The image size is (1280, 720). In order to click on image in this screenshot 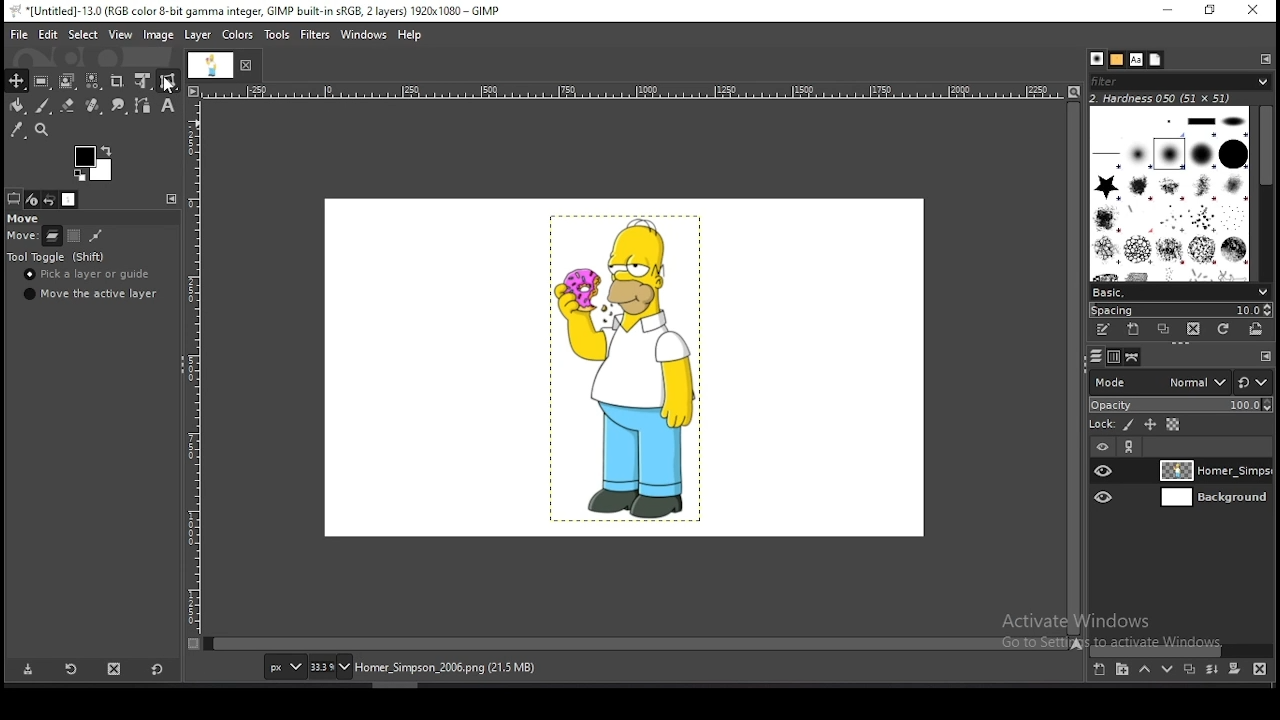, I will do `click(622, 369)`.